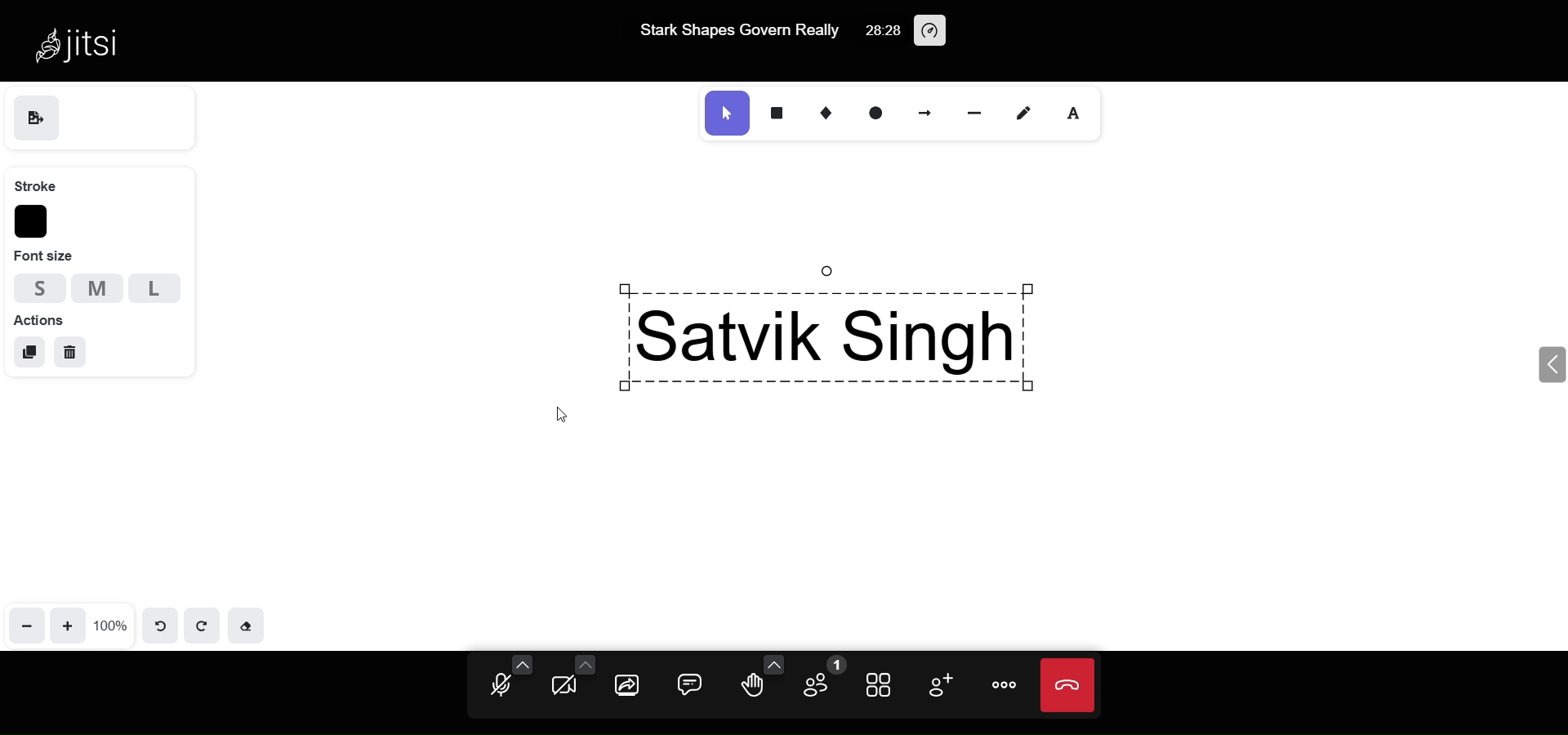  What do you see at coordinates (1067, 684) in the screenshot?
I see `leave meeting` at bounding box center [1067, 684].